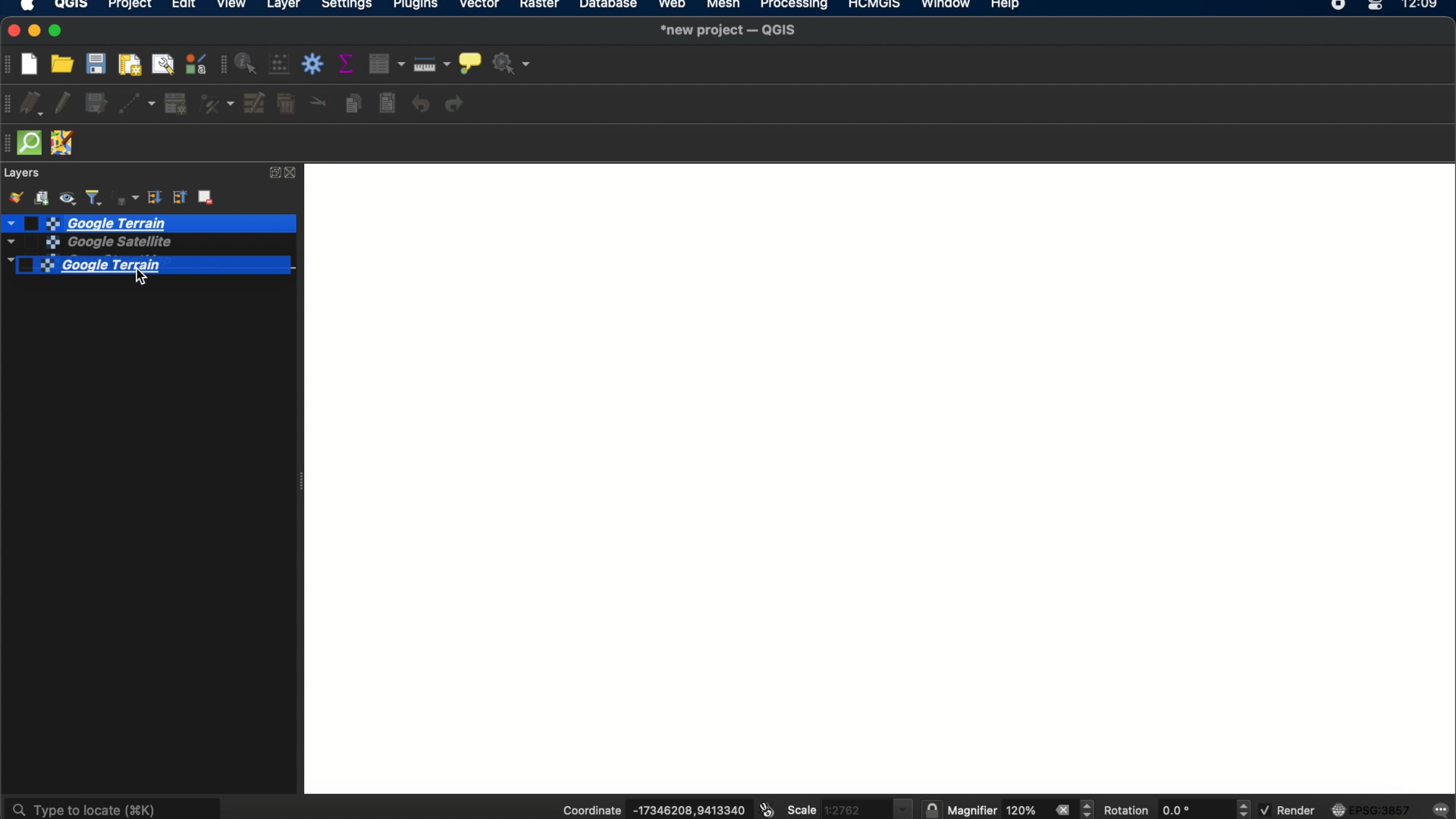 The height and width of the screenshot is (819, 1456). What do you see at coordinates (208, 199) in the screenshot?
I see `remove layer group` at bounding box center [208, 199].